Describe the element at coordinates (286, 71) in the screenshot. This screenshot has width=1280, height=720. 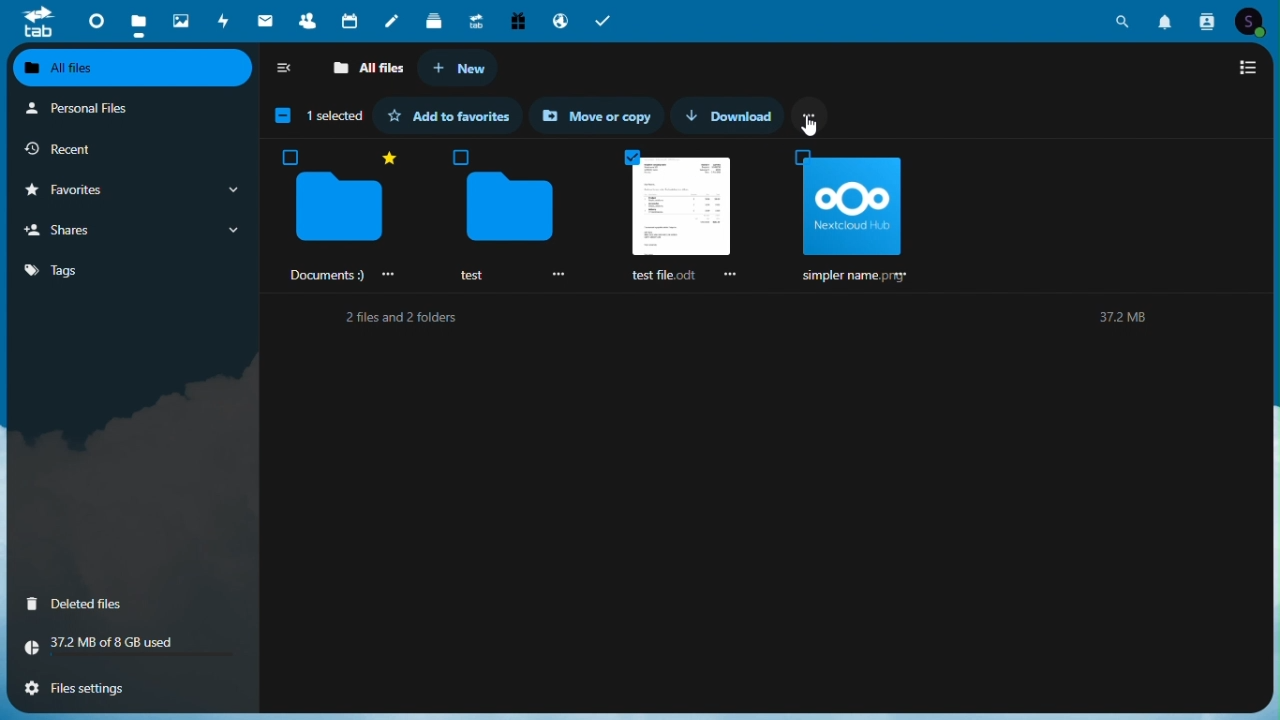
I see `Collap side bar` at that location.